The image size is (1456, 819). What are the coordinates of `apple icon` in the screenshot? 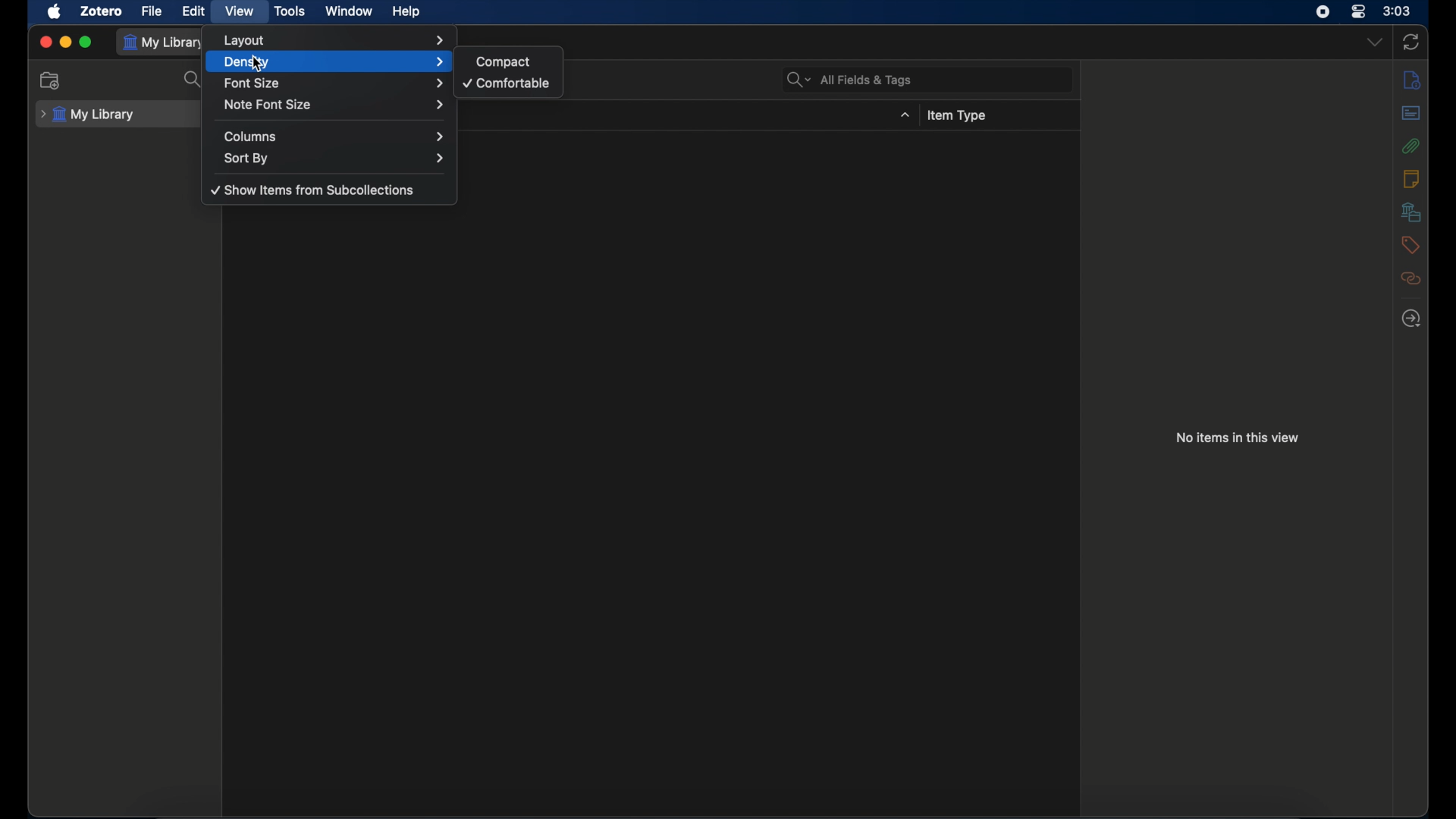 It's located at (56, 11).